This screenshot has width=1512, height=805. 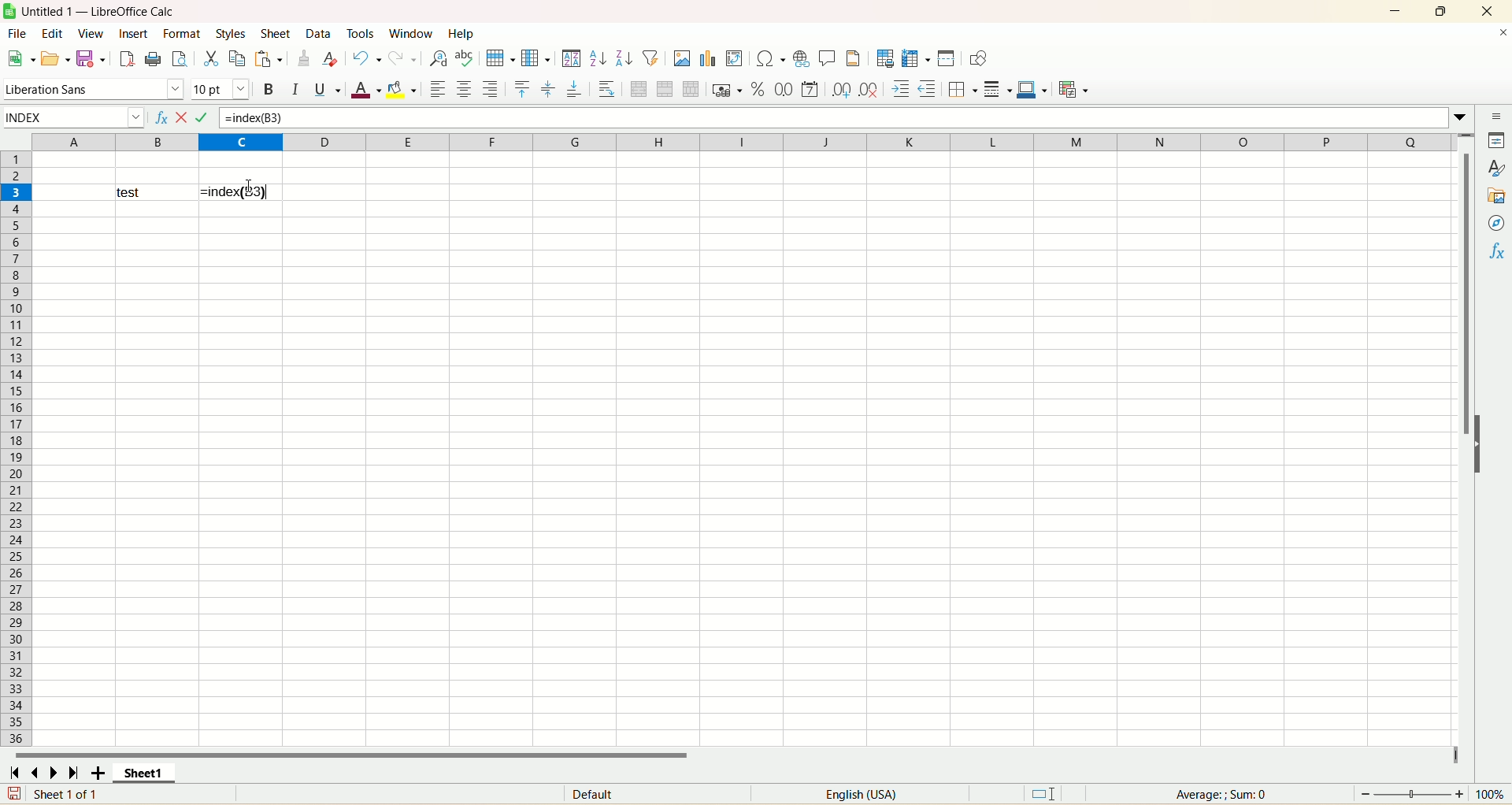 I want to click on Average: ; Sum: 0, so click(x=1221, y=795).